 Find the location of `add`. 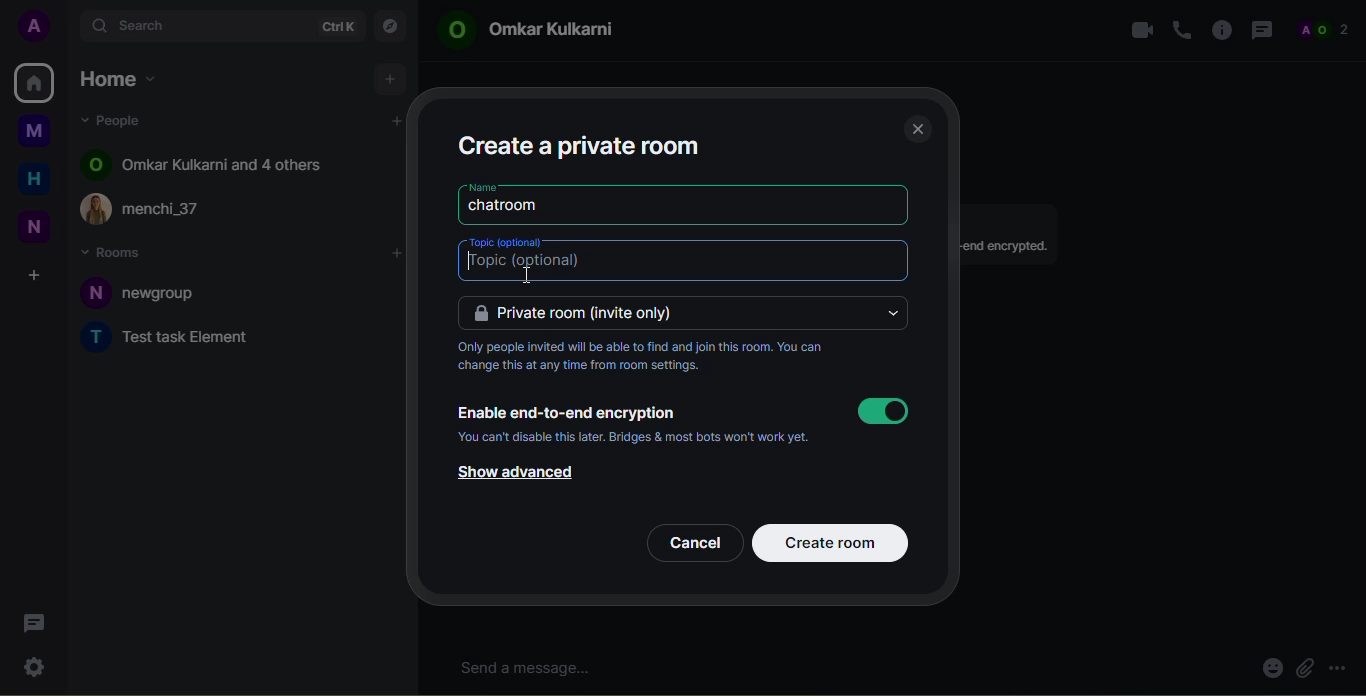

add is located at coordinates (397, 121).